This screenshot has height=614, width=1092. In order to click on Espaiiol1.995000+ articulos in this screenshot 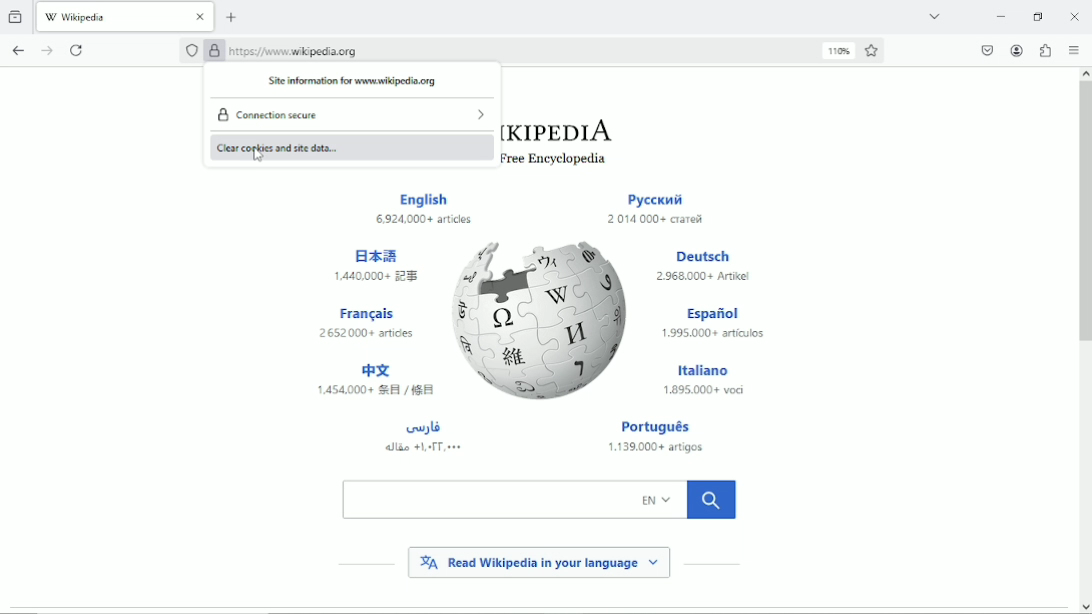, I will do `click(713, 324)`.